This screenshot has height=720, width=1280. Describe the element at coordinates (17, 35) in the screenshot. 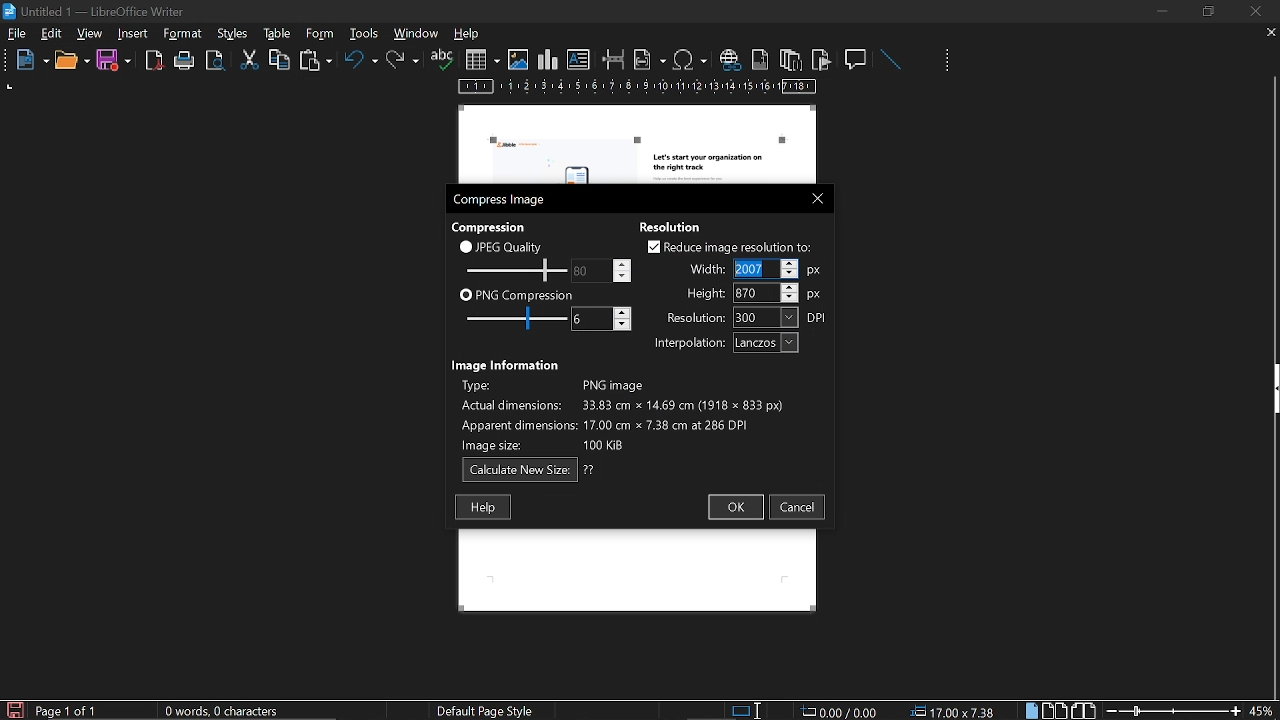

I see `file` at that location.